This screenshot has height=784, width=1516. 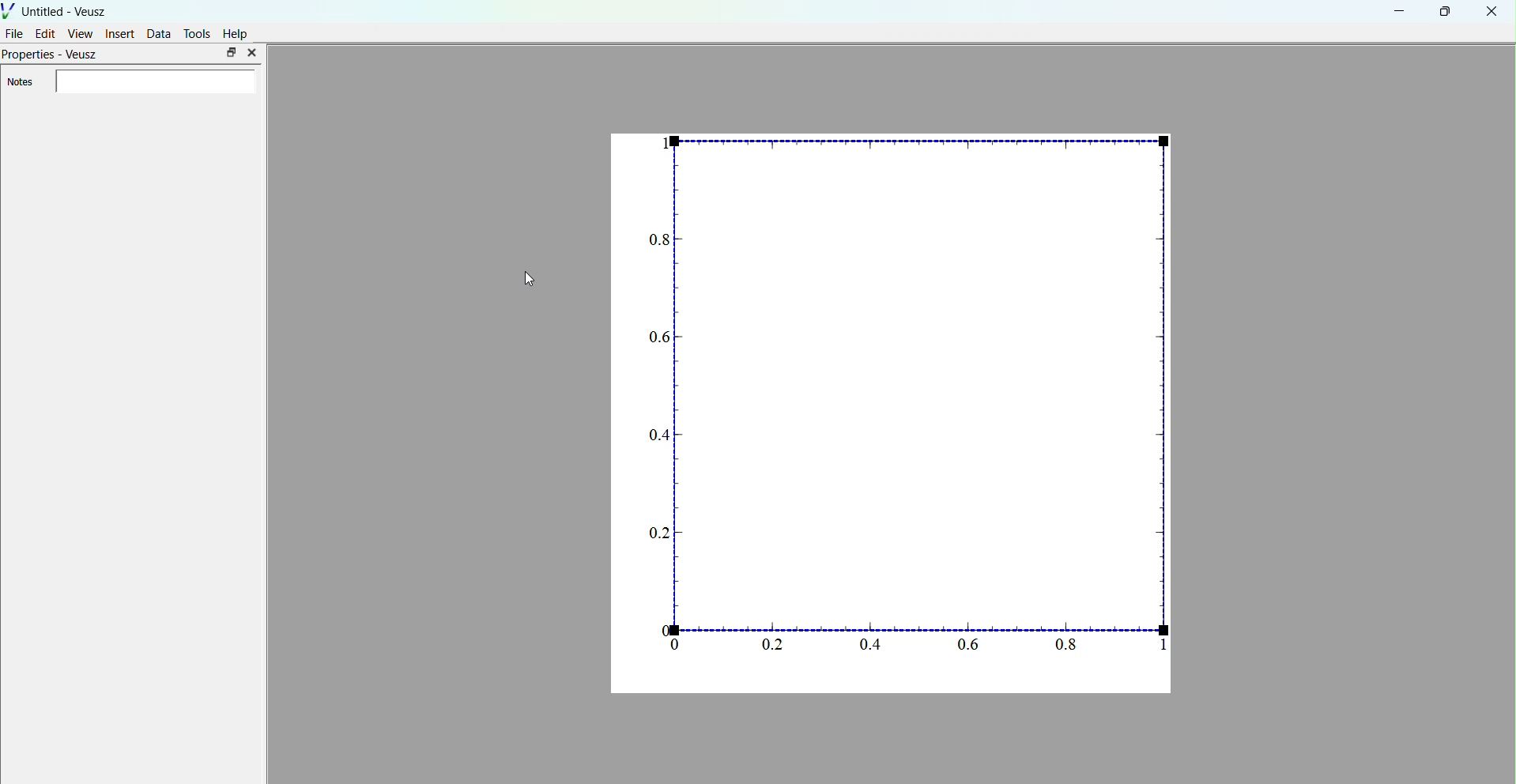 What do you see at coordinates (530, 280) in the screenshot?
I see `cursor` at bounding box center [530, 280].